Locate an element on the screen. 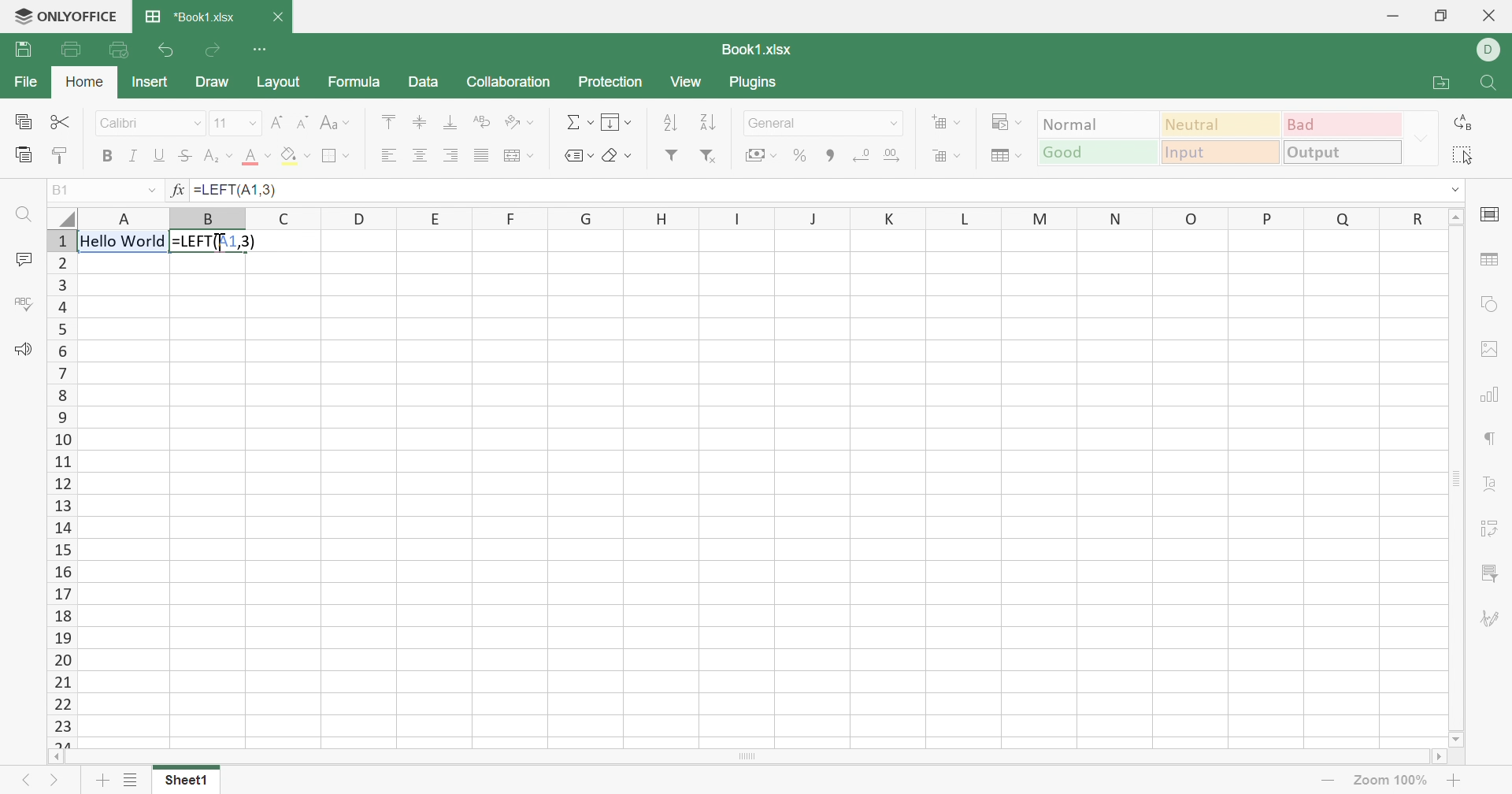 The height and width of the screenshot is (794, 1512). Drop down is located at coordinates (154, 192).